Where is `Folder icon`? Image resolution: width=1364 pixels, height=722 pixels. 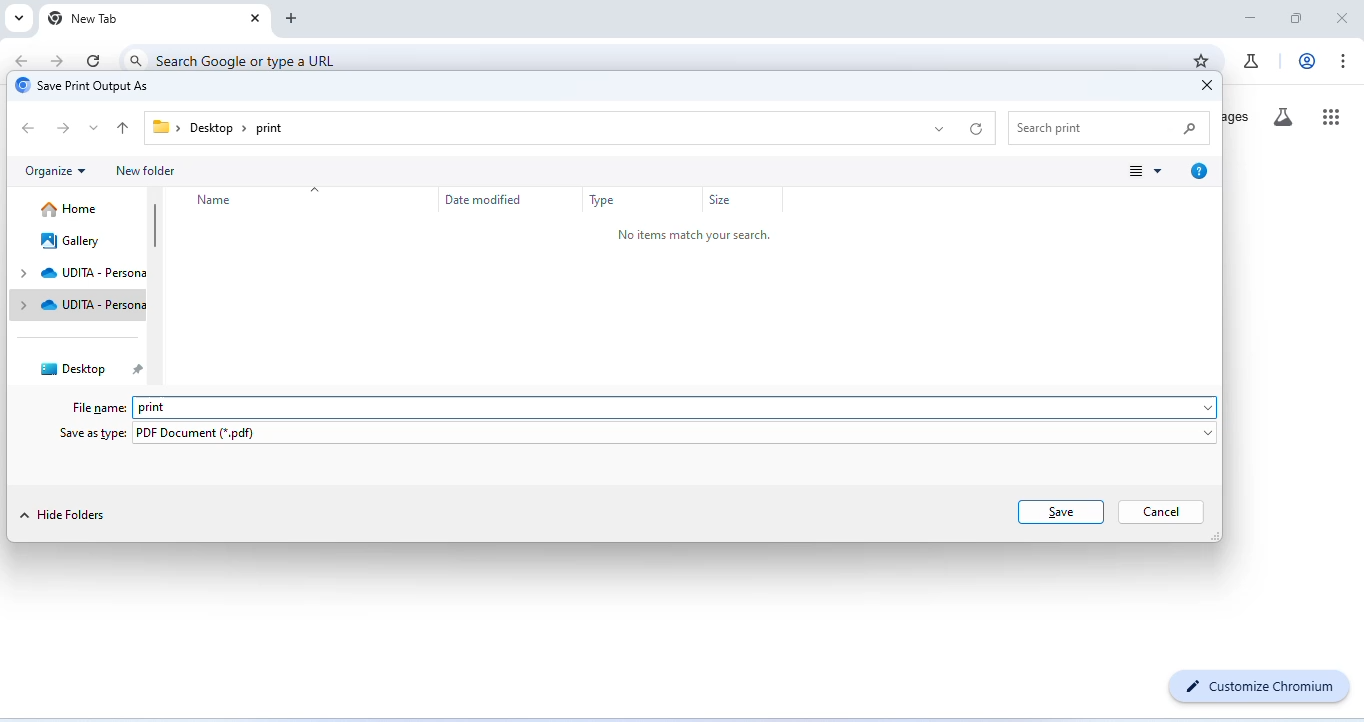 Folder icon is located at coordinates (161, 126).